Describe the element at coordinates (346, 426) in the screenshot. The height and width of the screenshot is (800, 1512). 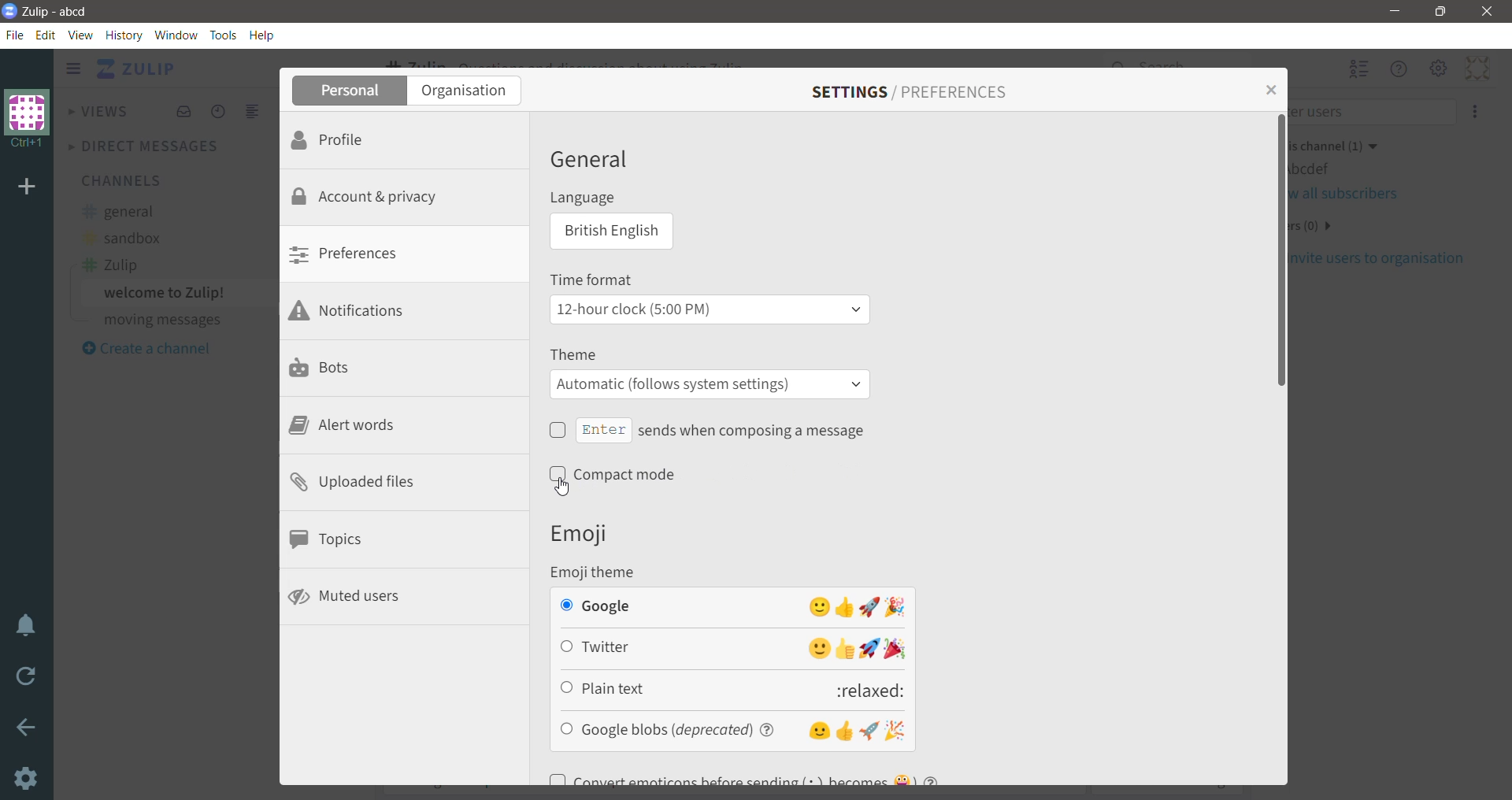
I see `Alert words` at that location.